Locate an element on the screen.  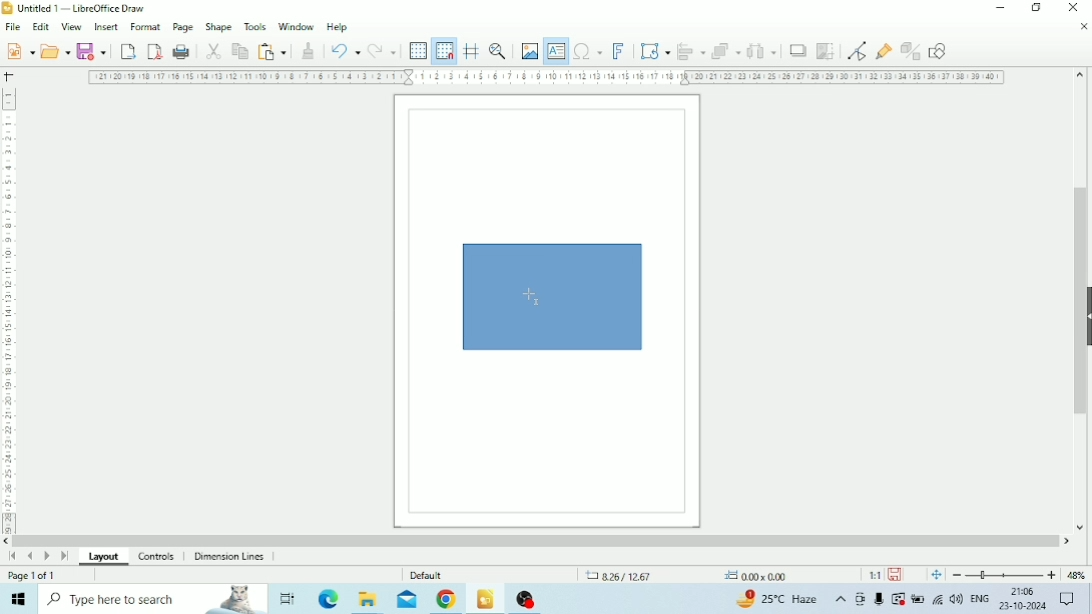
Controls is located at coordinates (160, 557).